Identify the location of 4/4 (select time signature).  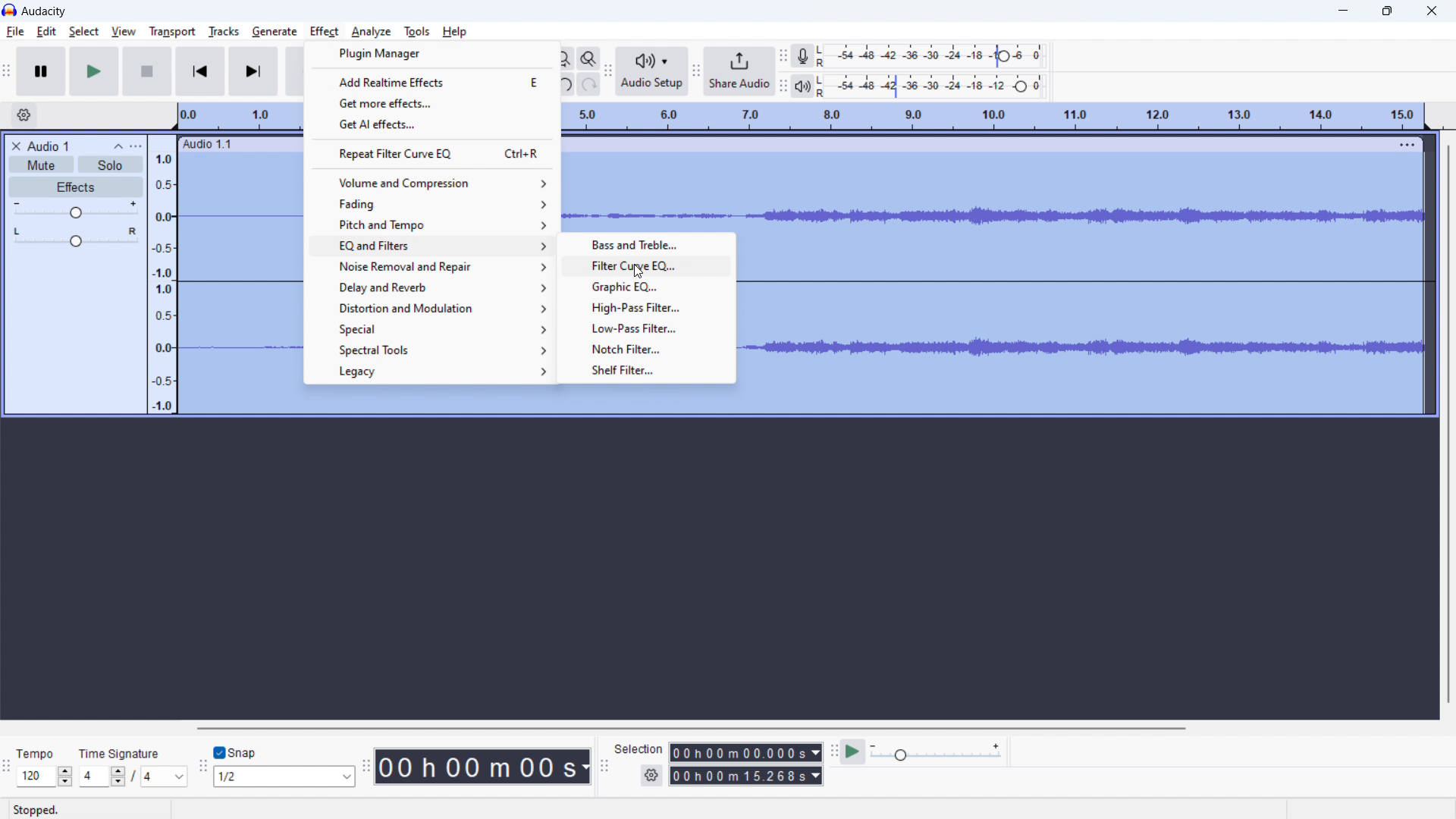
(133, 776).